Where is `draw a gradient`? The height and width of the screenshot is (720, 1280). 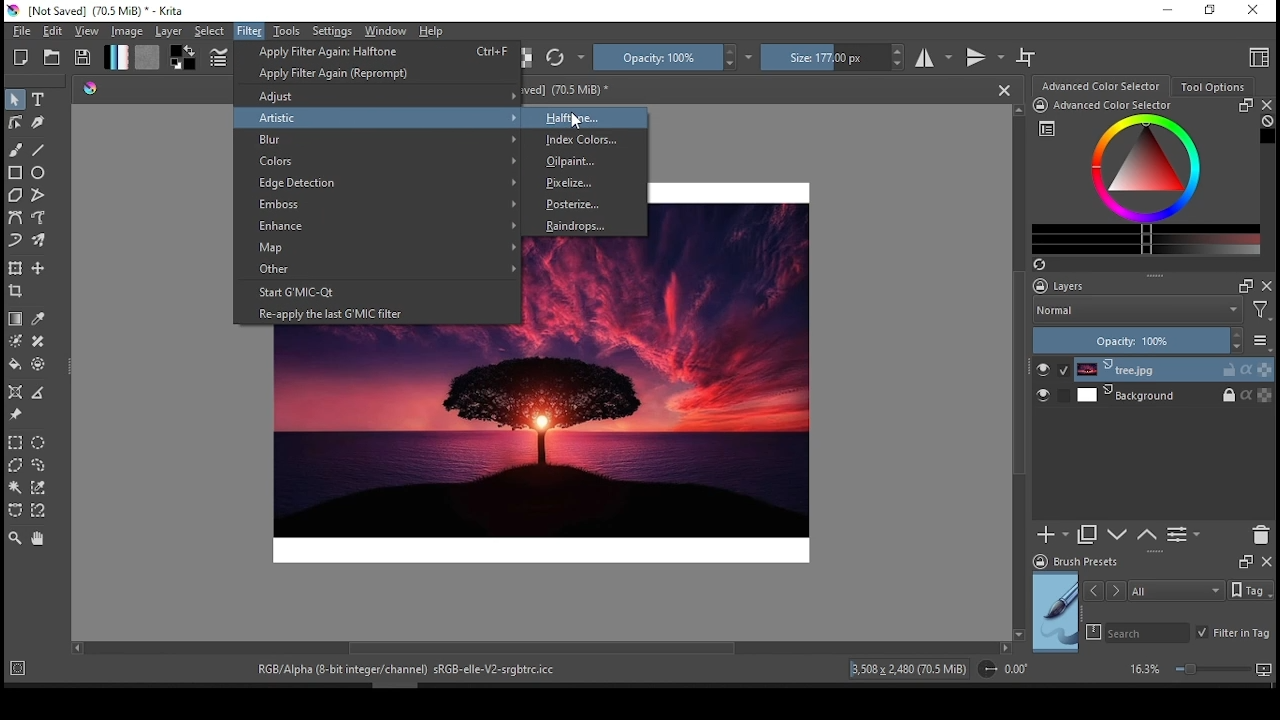
draw a gradient is located at coordinates (15, 318).